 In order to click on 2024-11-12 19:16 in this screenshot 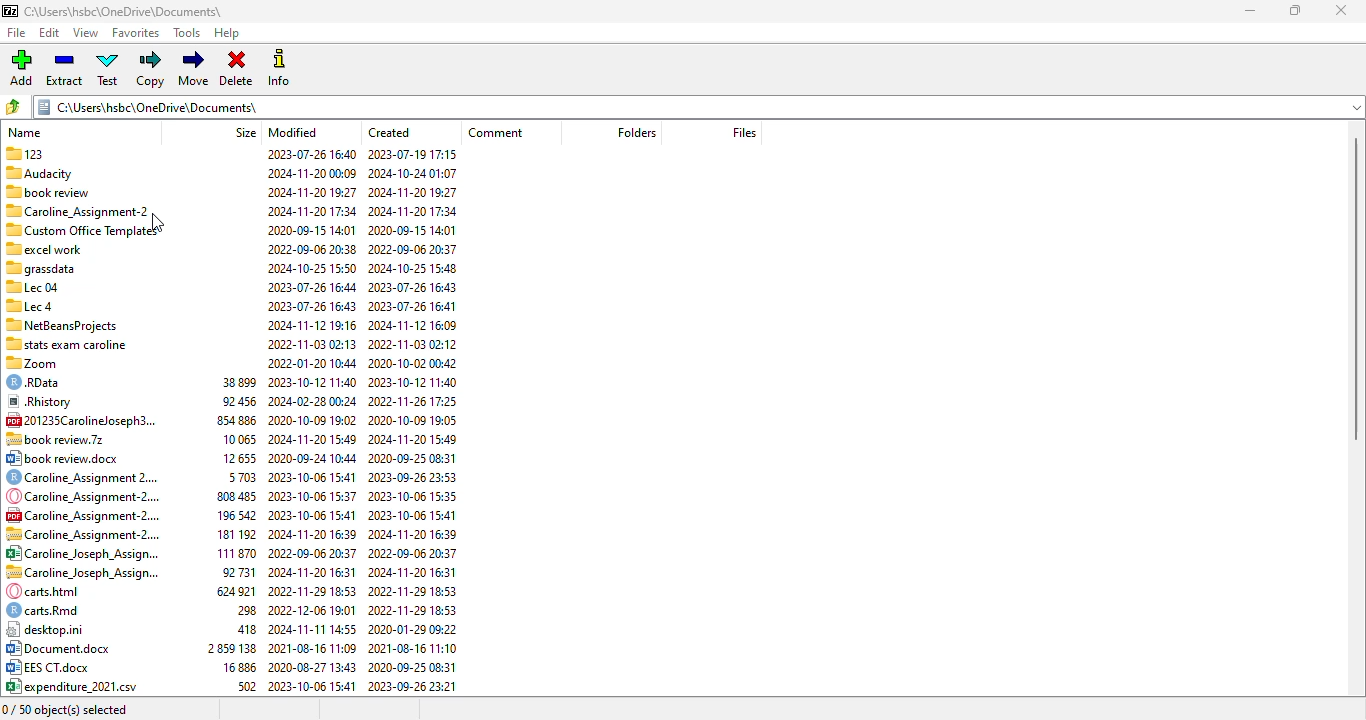, I will do `click(311, 325)`.